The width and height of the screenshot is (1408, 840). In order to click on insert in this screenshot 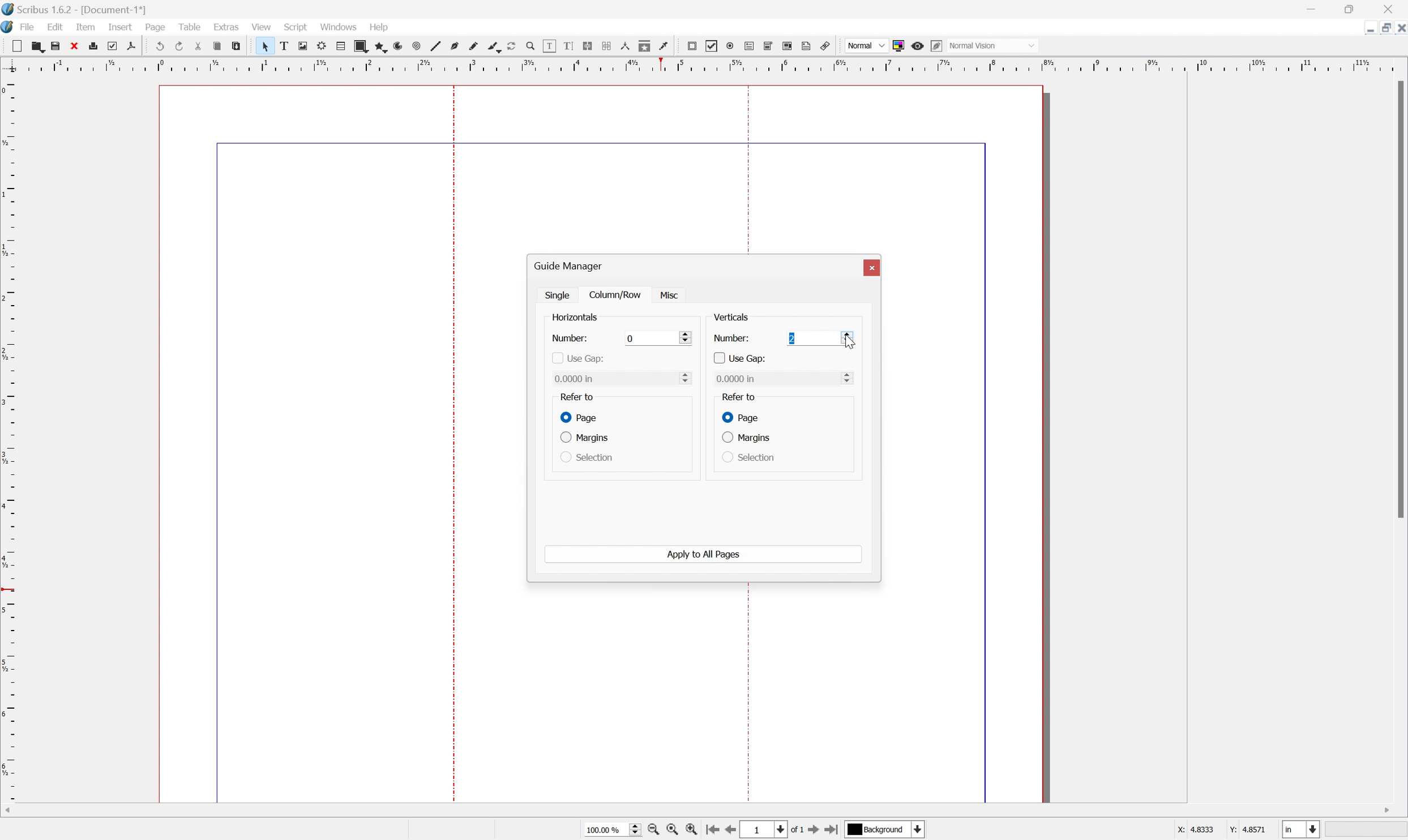, I will do `click(121, 27)`.